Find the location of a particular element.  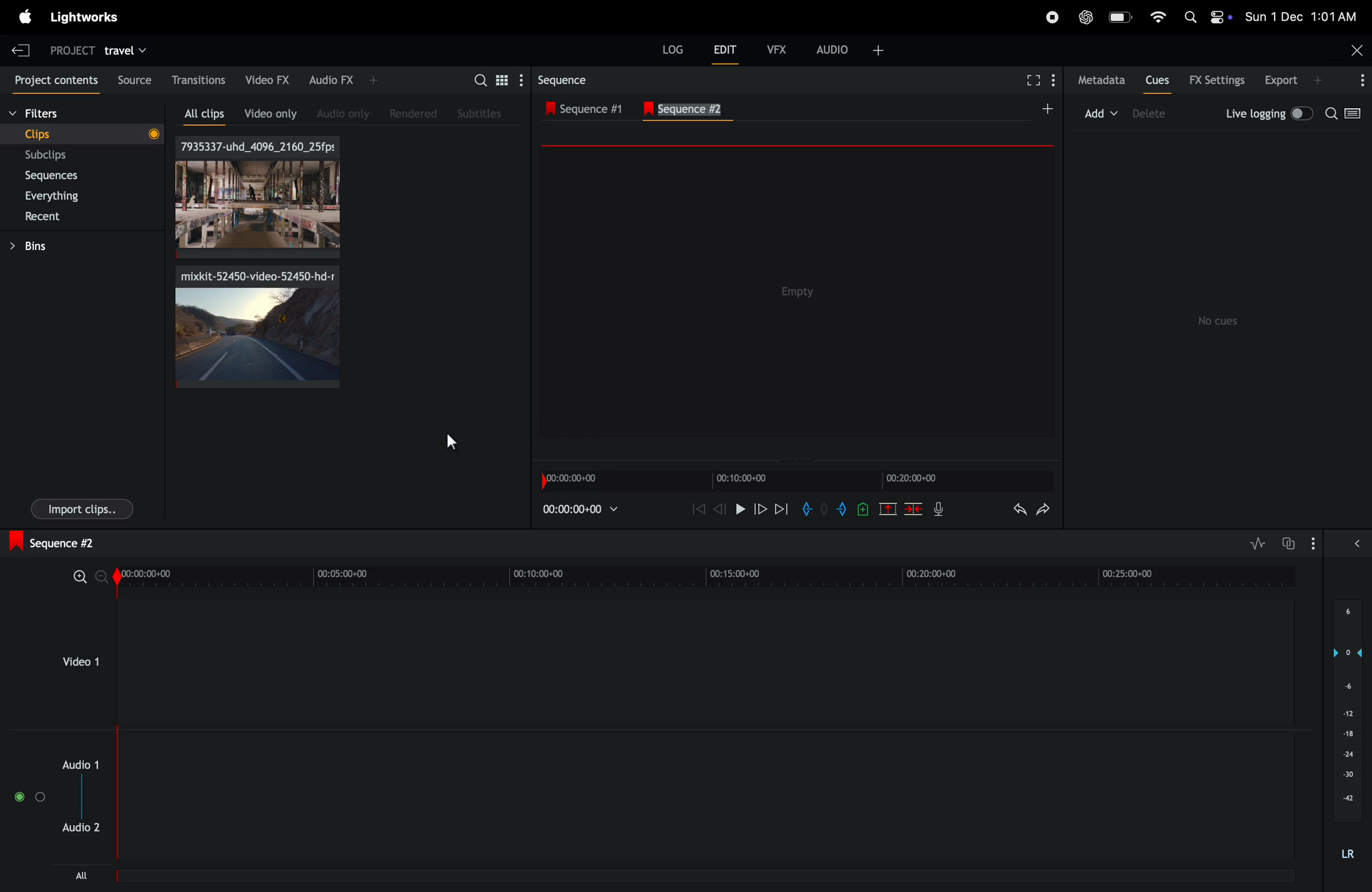

rewind is located at coordinates (698, 511).